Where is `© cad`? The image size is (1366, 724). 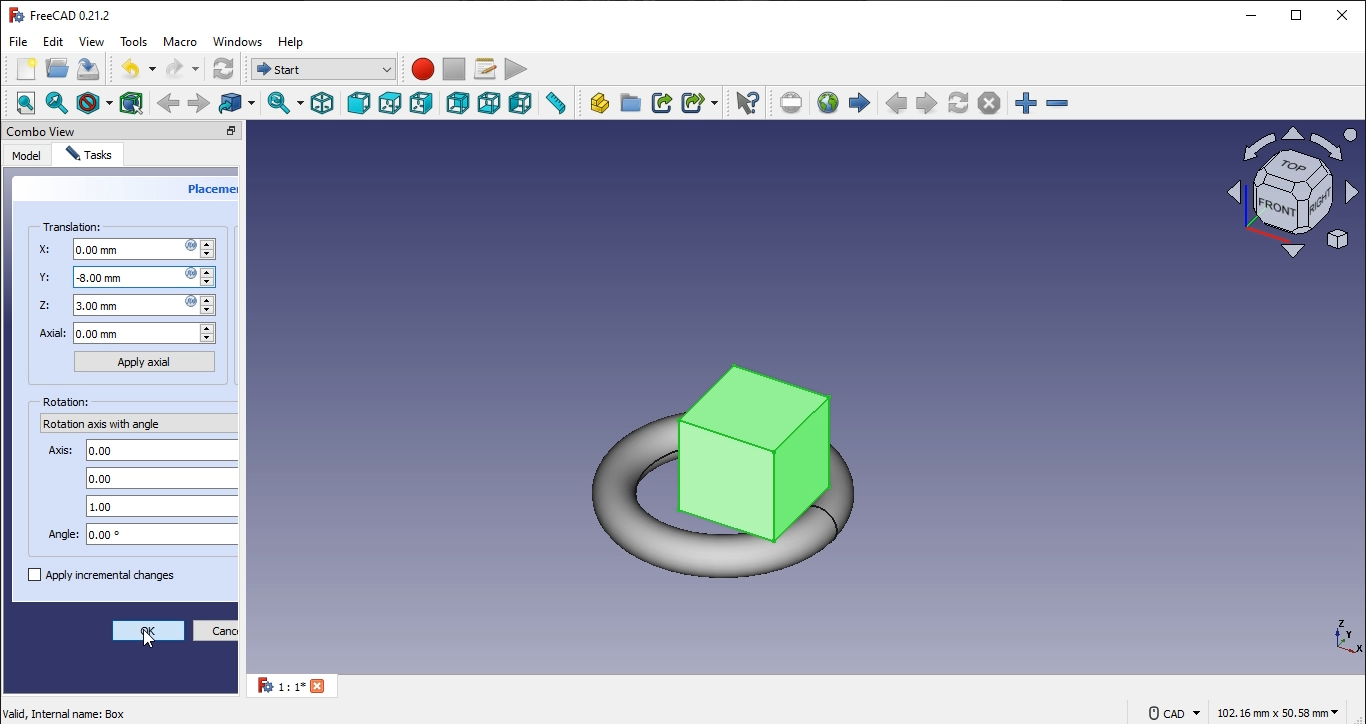
© cad is located at coordinates (1171, 712).